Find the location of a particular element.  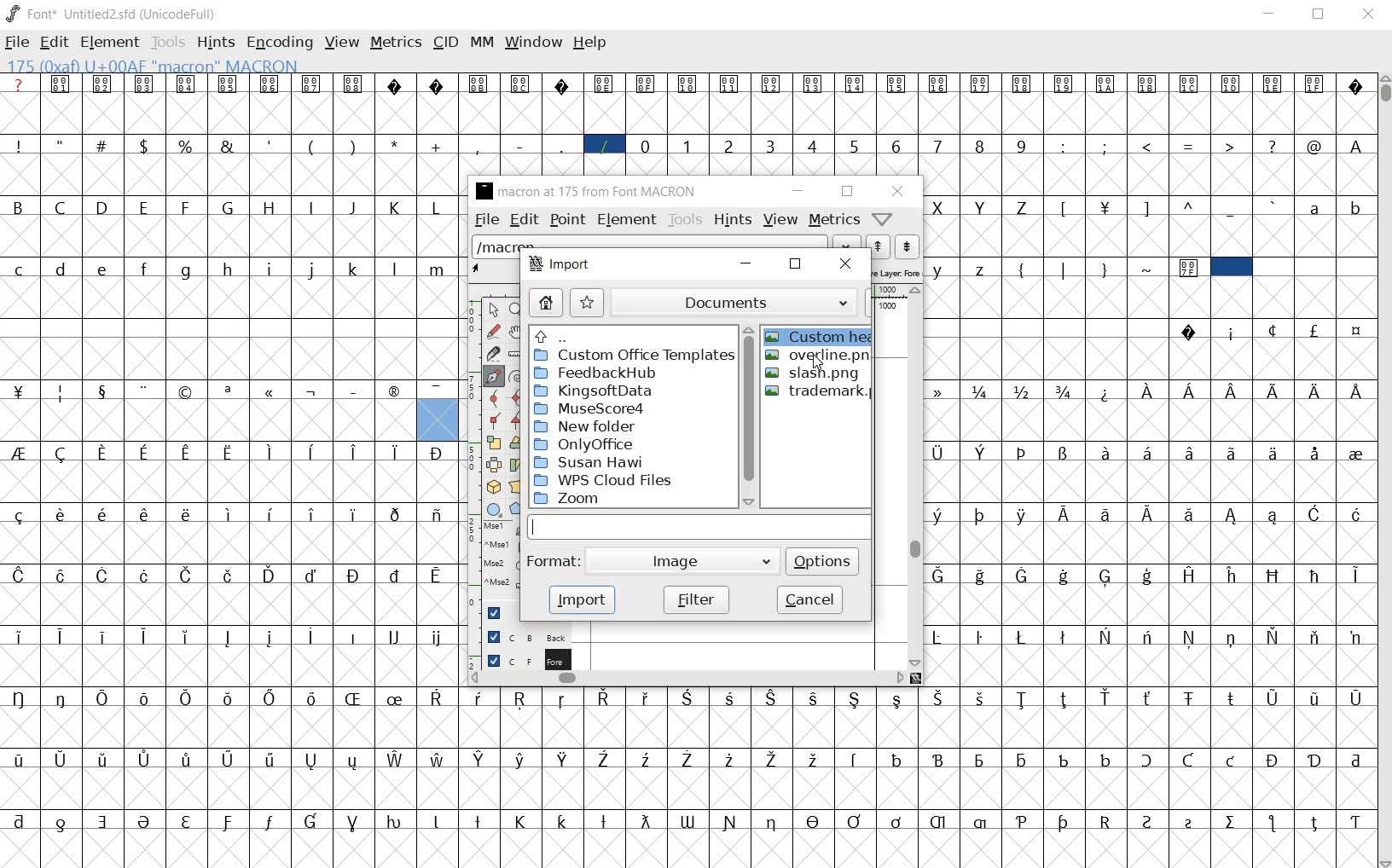

b is located at coordinates (1354, 207).